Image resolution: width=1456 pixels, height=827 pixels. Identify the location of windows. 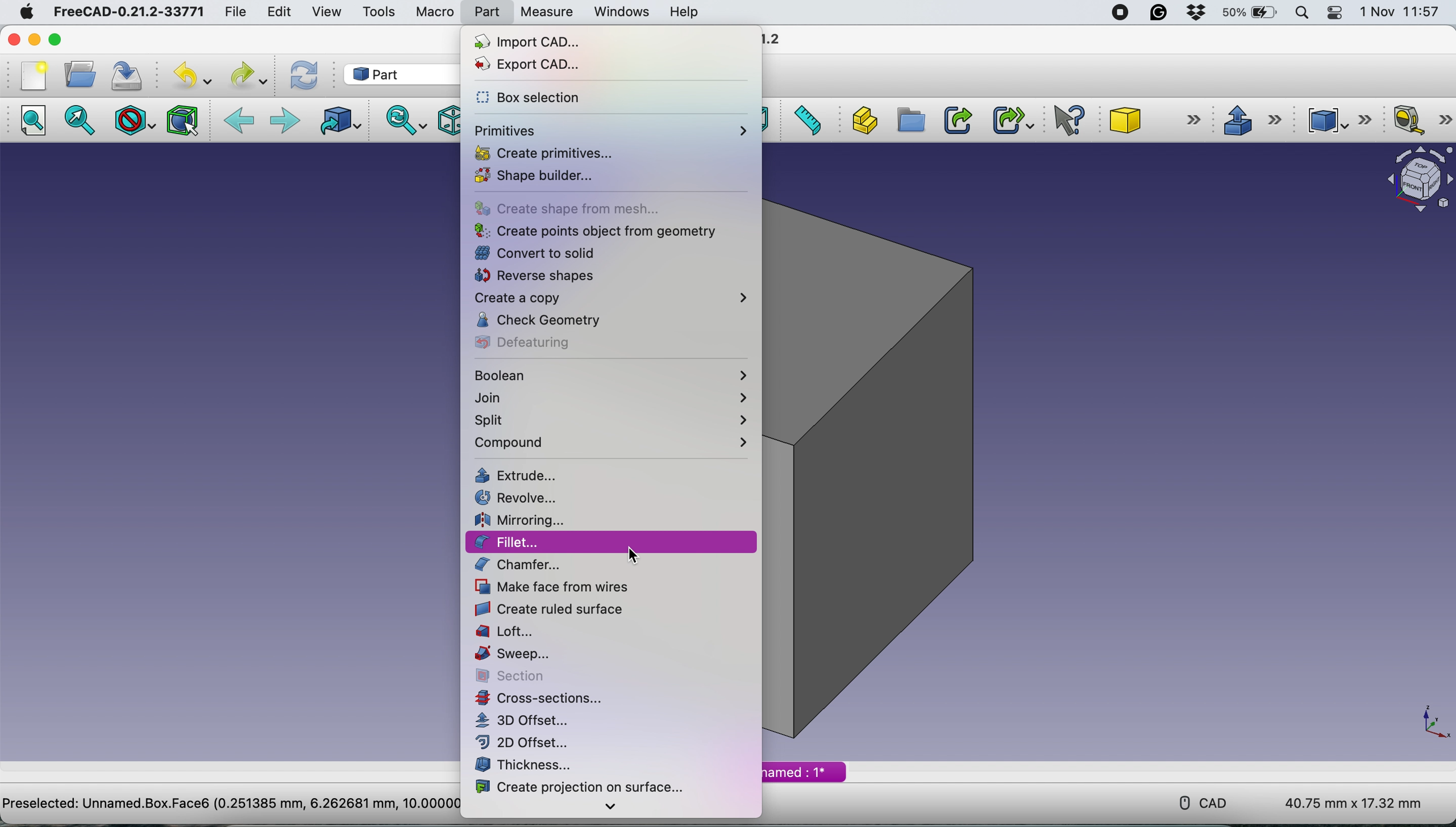
(620, 11).